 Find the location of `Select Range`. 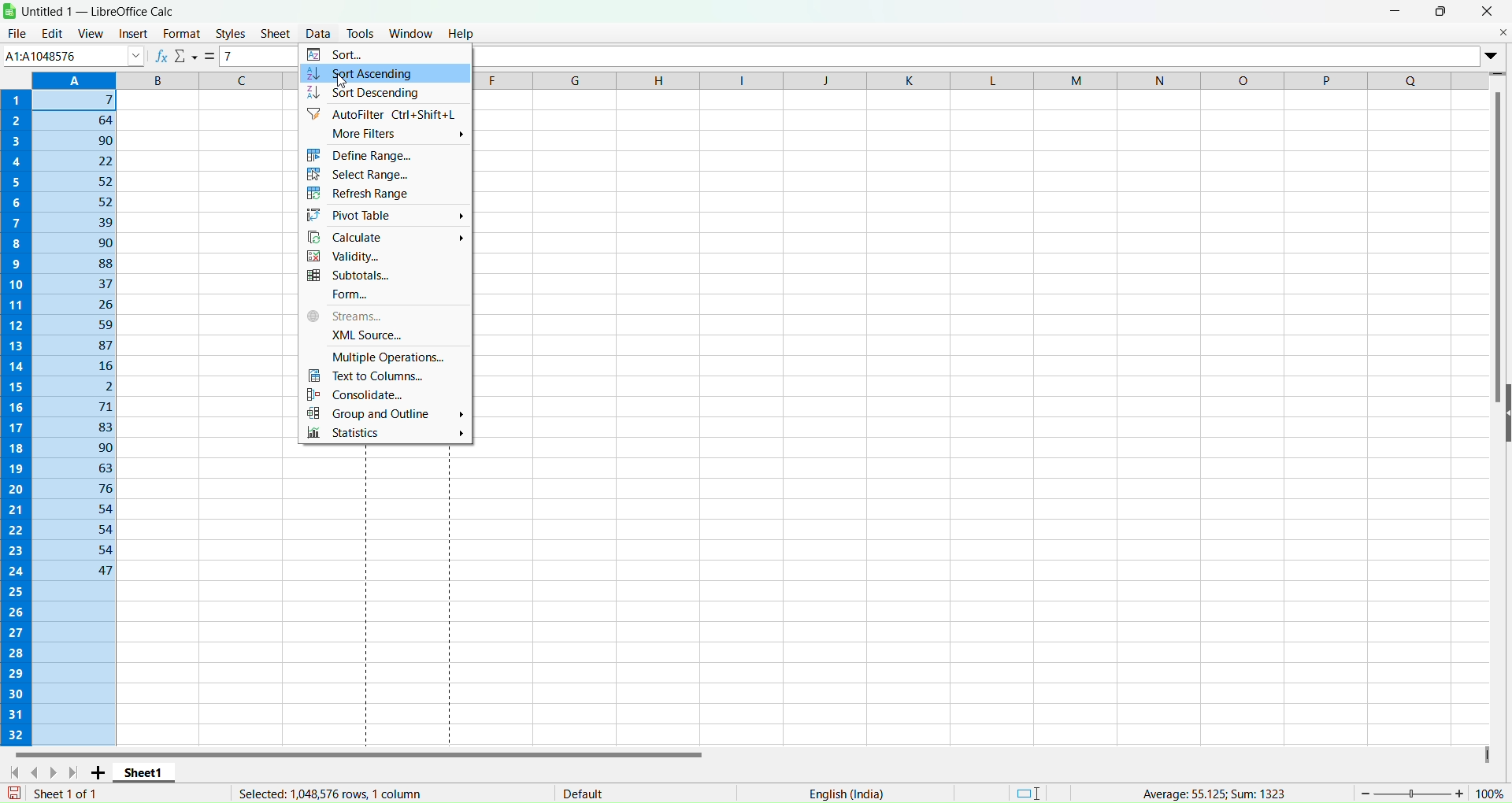

Select Range is located at coordinates (380, 174).